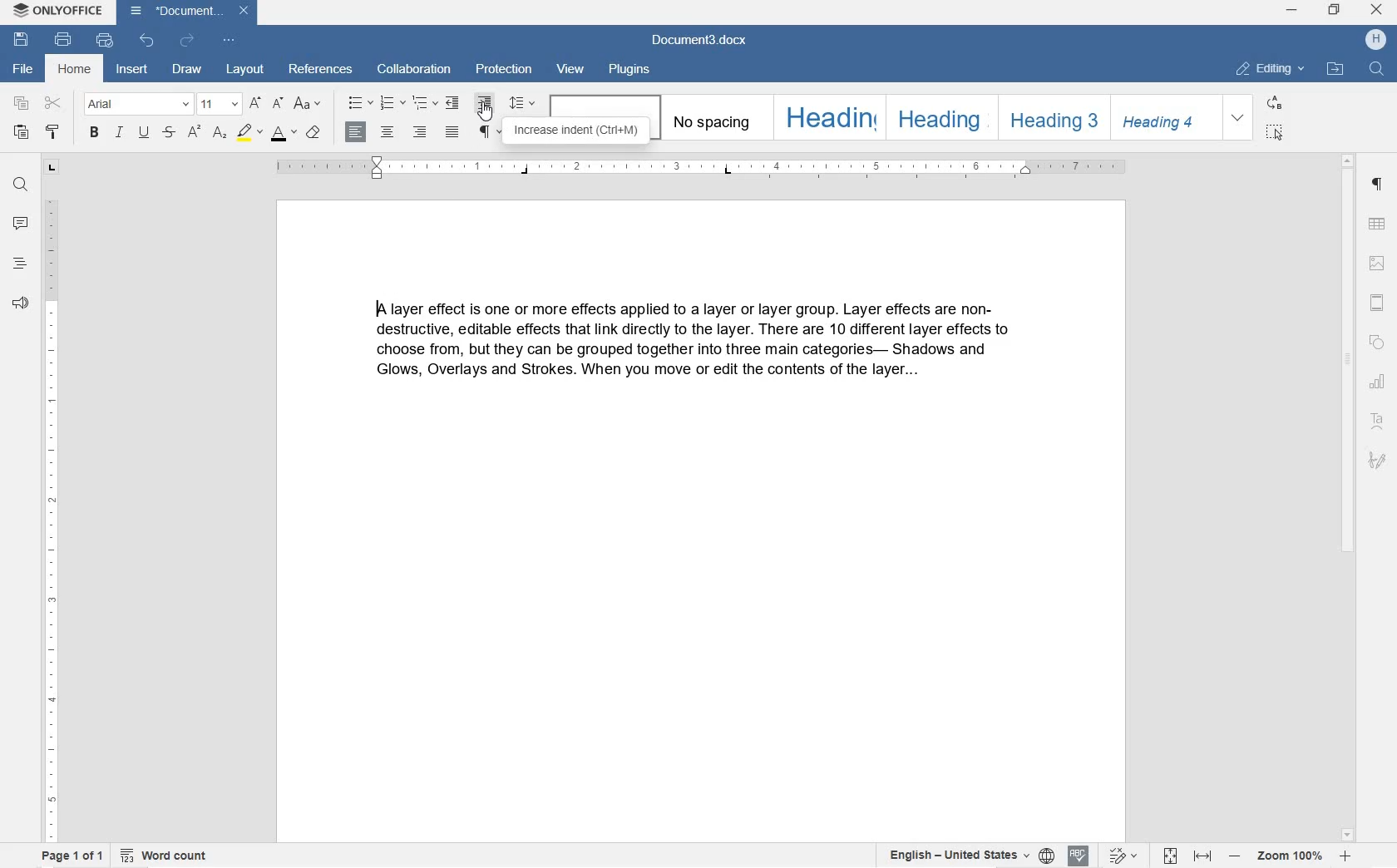  Describe the element at coordinates (503, 71) in the screenshot. I see `PROTECTION` at that location.